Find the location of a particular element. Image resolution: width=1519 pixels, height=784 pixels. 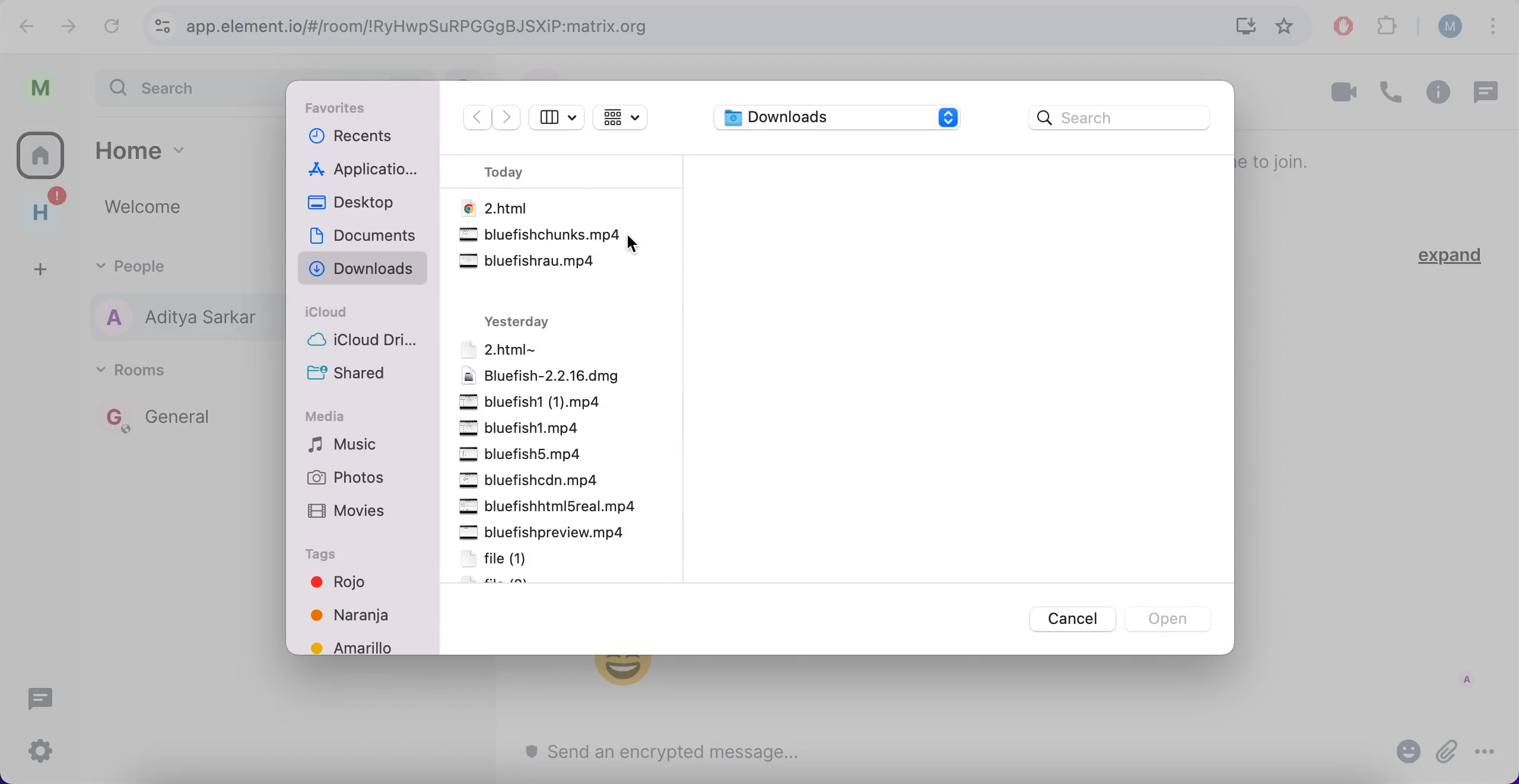

reload current page is located at coordinates (116, 26).